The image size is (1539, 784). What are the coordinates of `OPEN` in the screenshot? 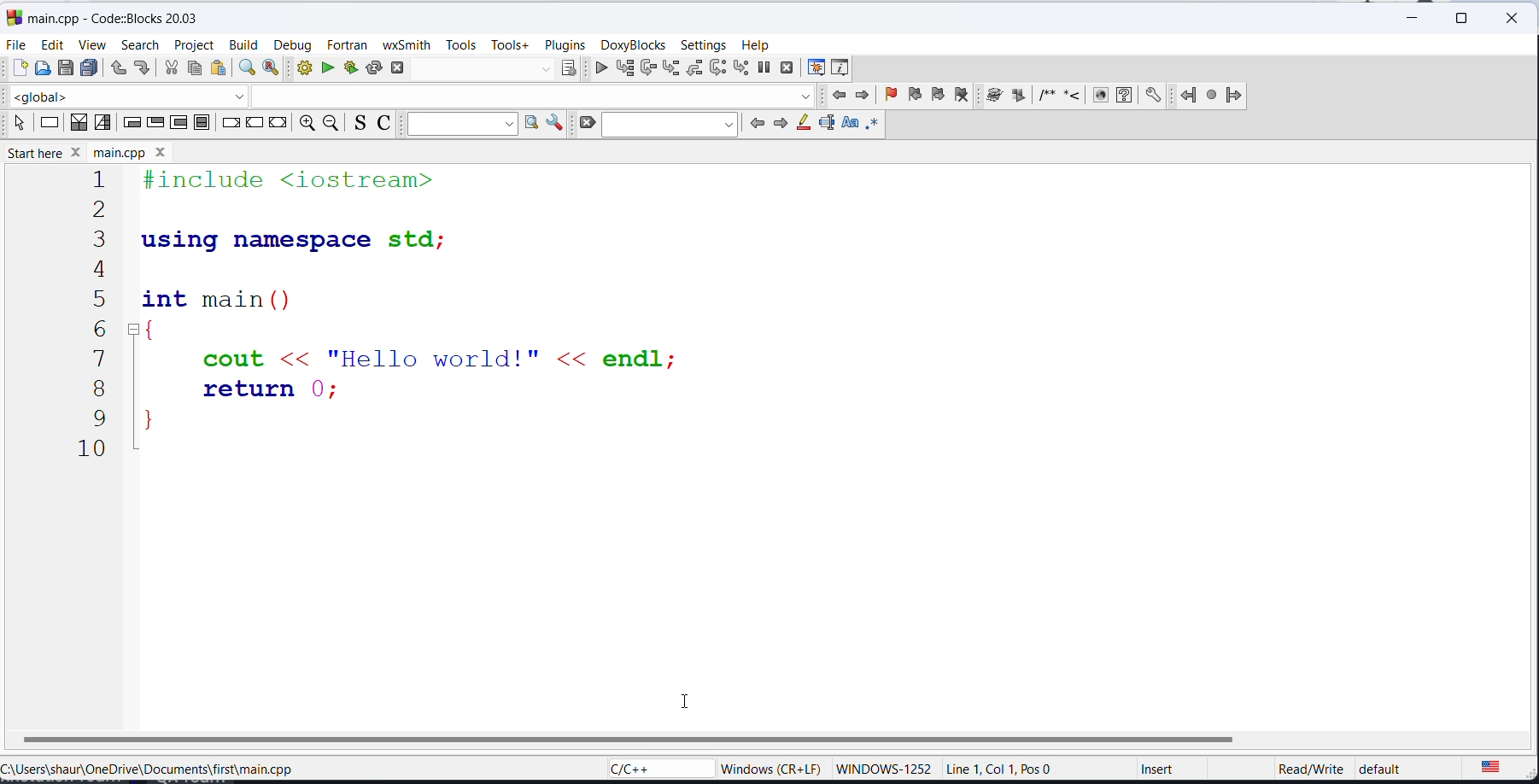 It's located at (41, 67).